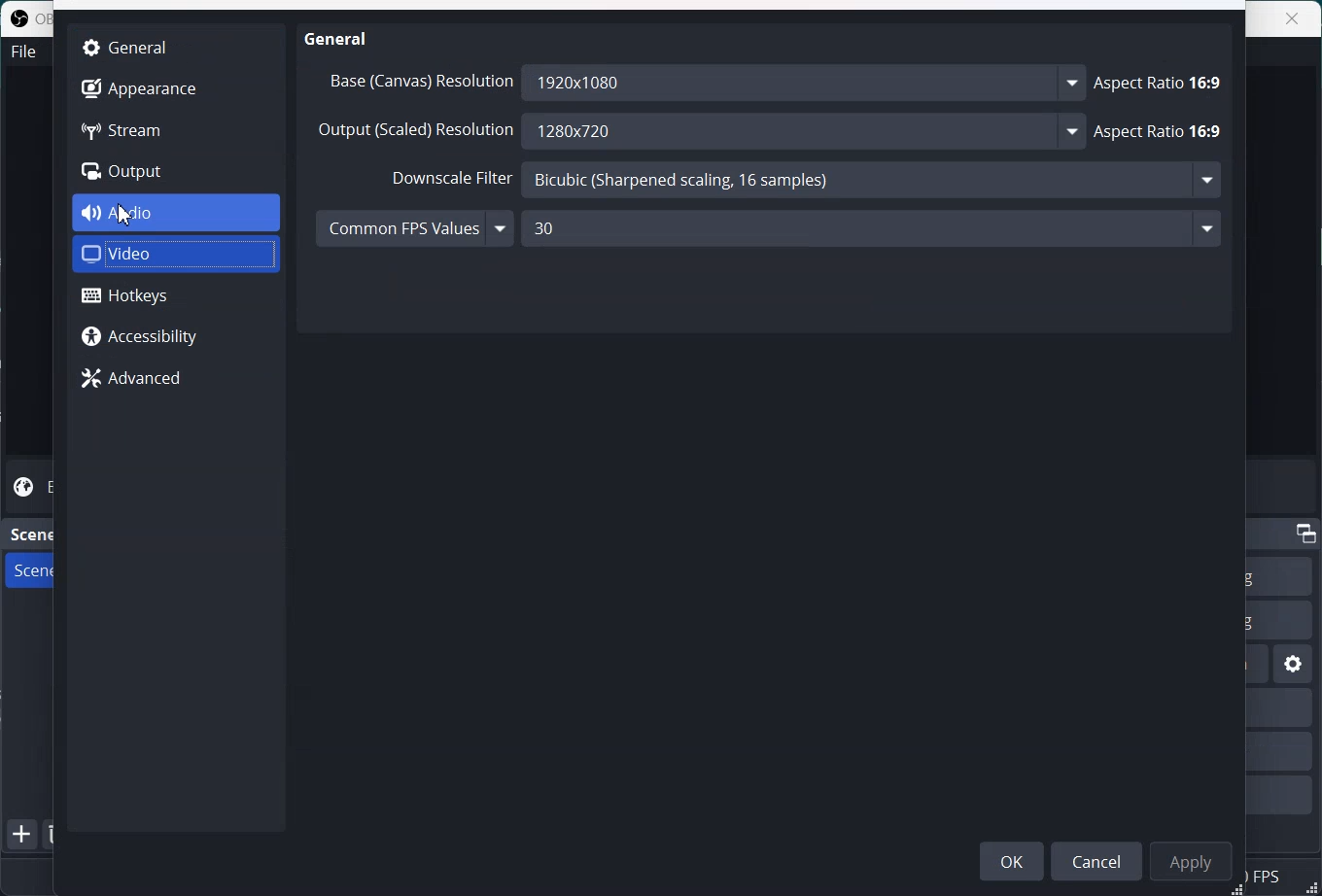  I want to click on Appearance, so click(138, 86).